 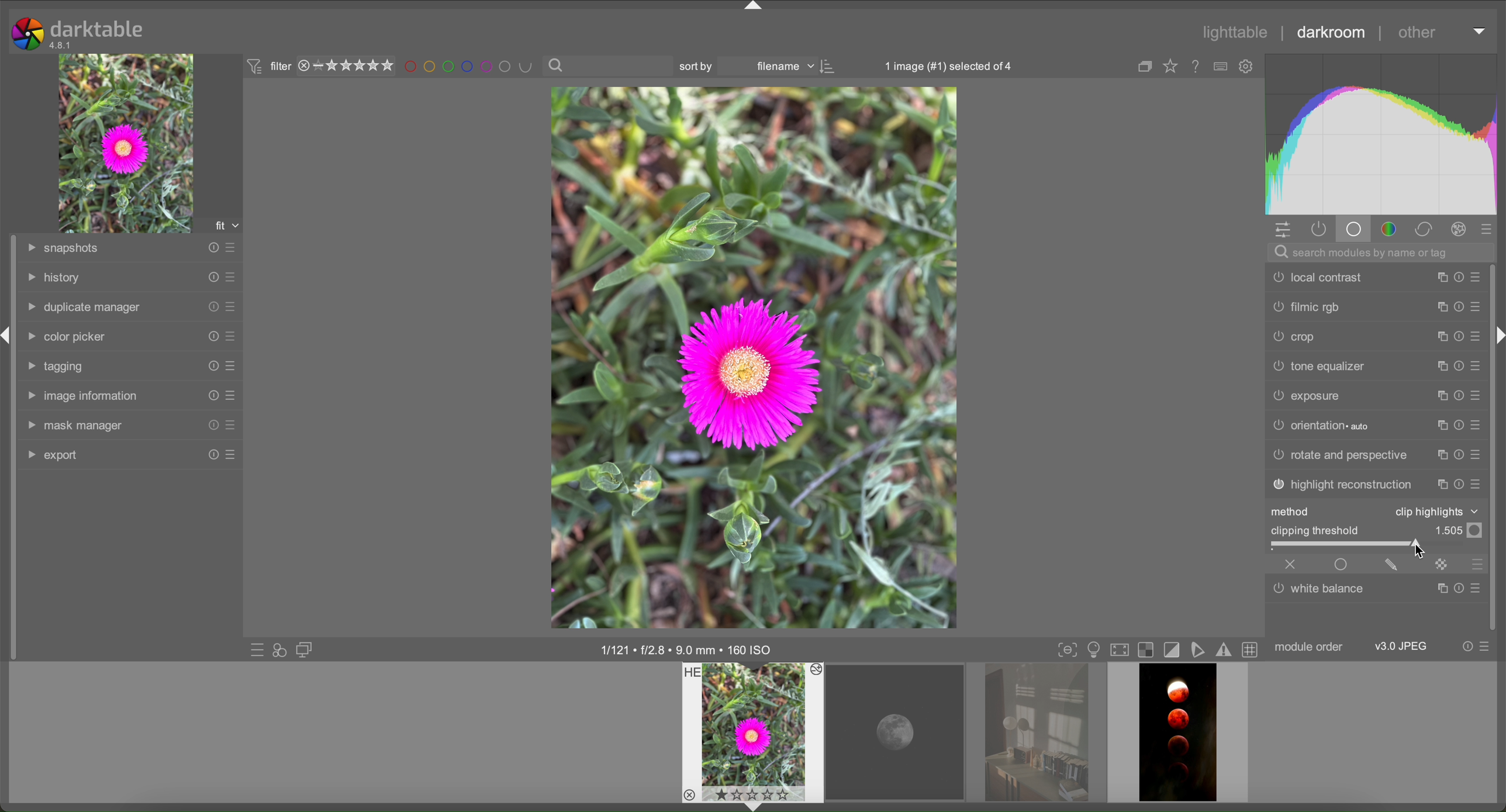 I want to click on arrow, so click(x=1500, y=336).